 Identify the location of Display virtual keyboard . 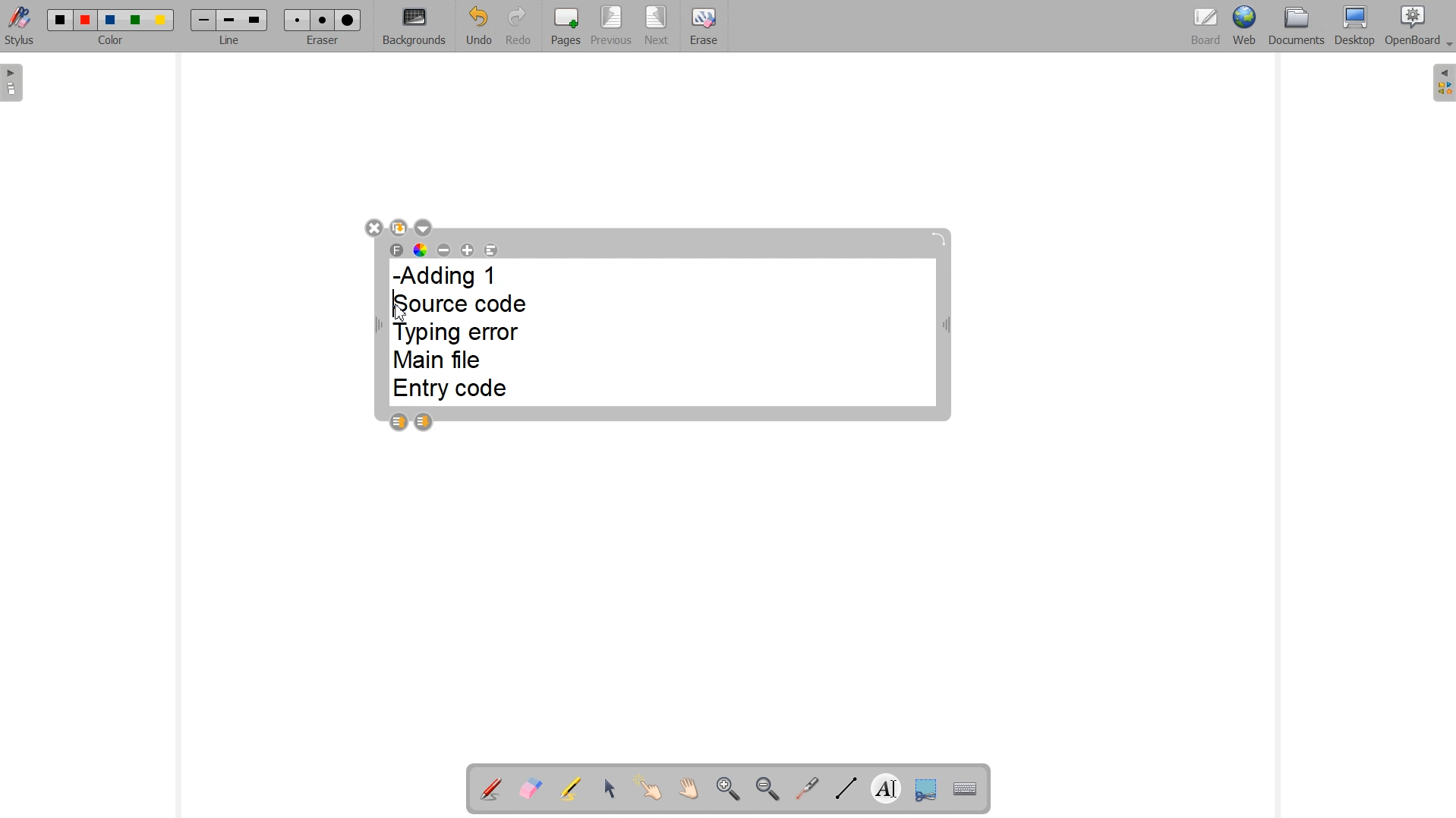
(966, 787).